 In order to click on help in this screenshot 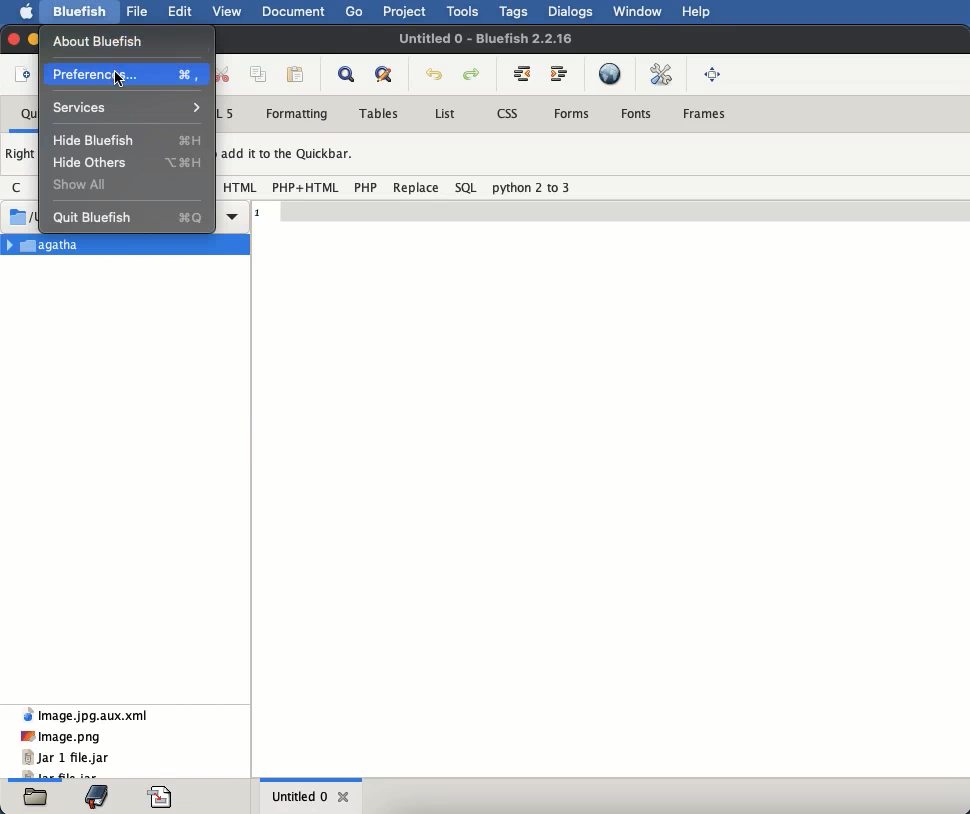, I will do `click(696, 12)`.